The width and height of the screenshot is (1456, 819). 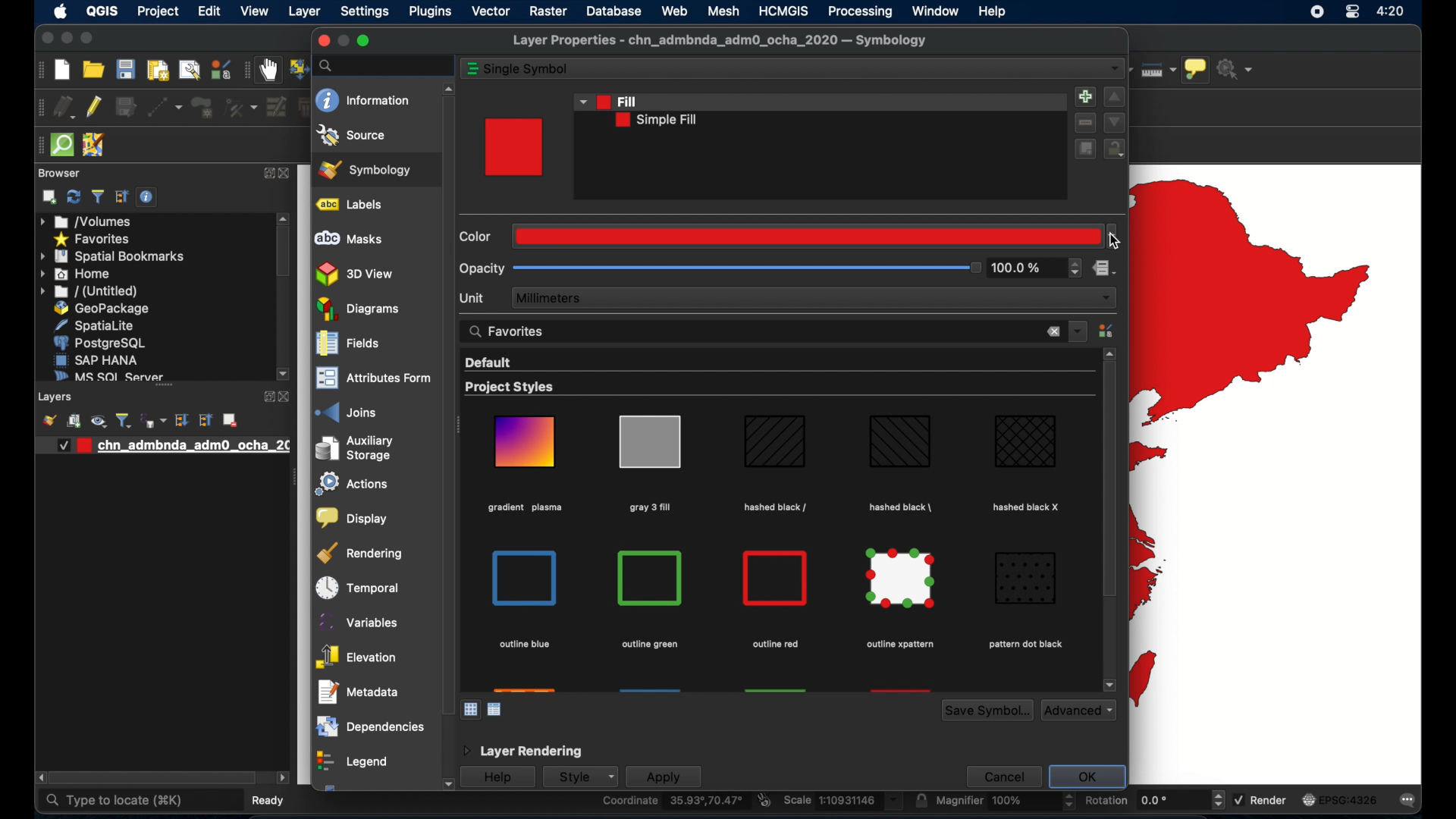 I want to click on digitize with segment, so click(x=165, y=108).